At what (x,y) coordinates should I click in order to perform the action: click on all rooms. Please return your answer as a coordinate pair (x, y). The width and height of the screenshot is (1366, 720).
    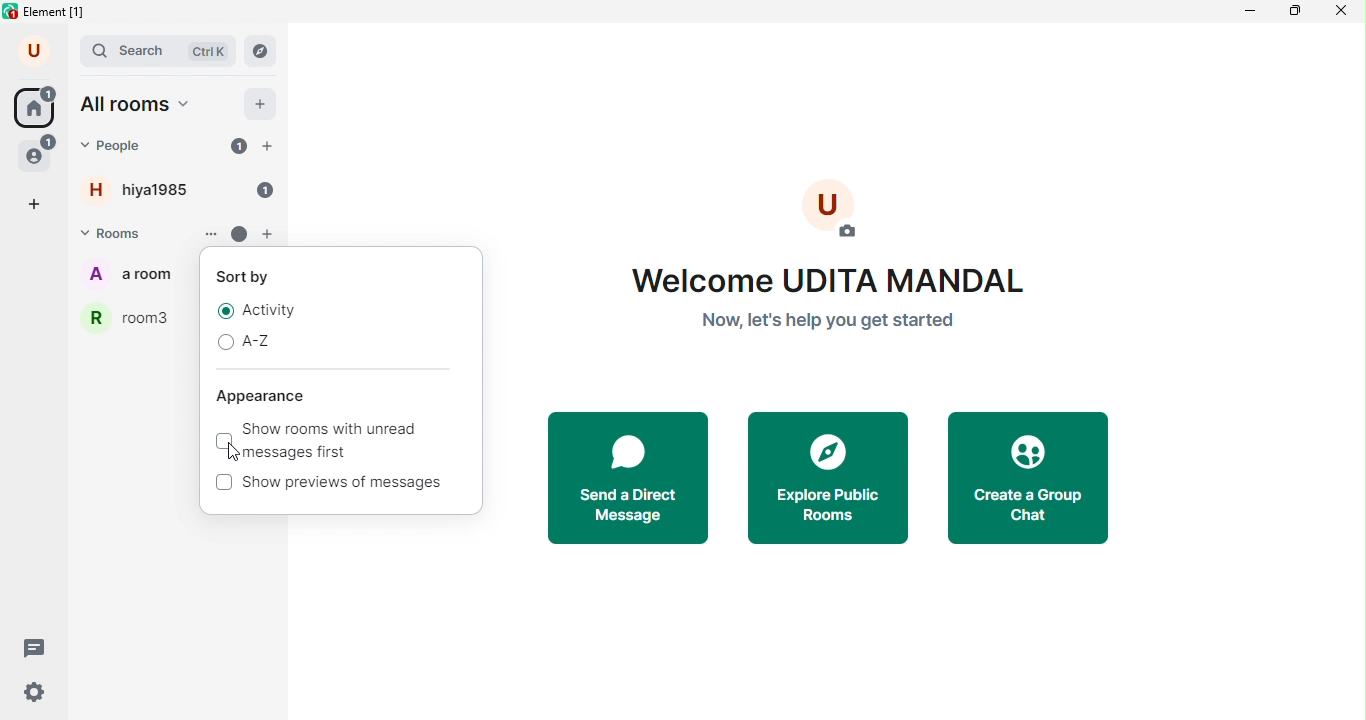
    Looking at the image, I should click on (140, 106).